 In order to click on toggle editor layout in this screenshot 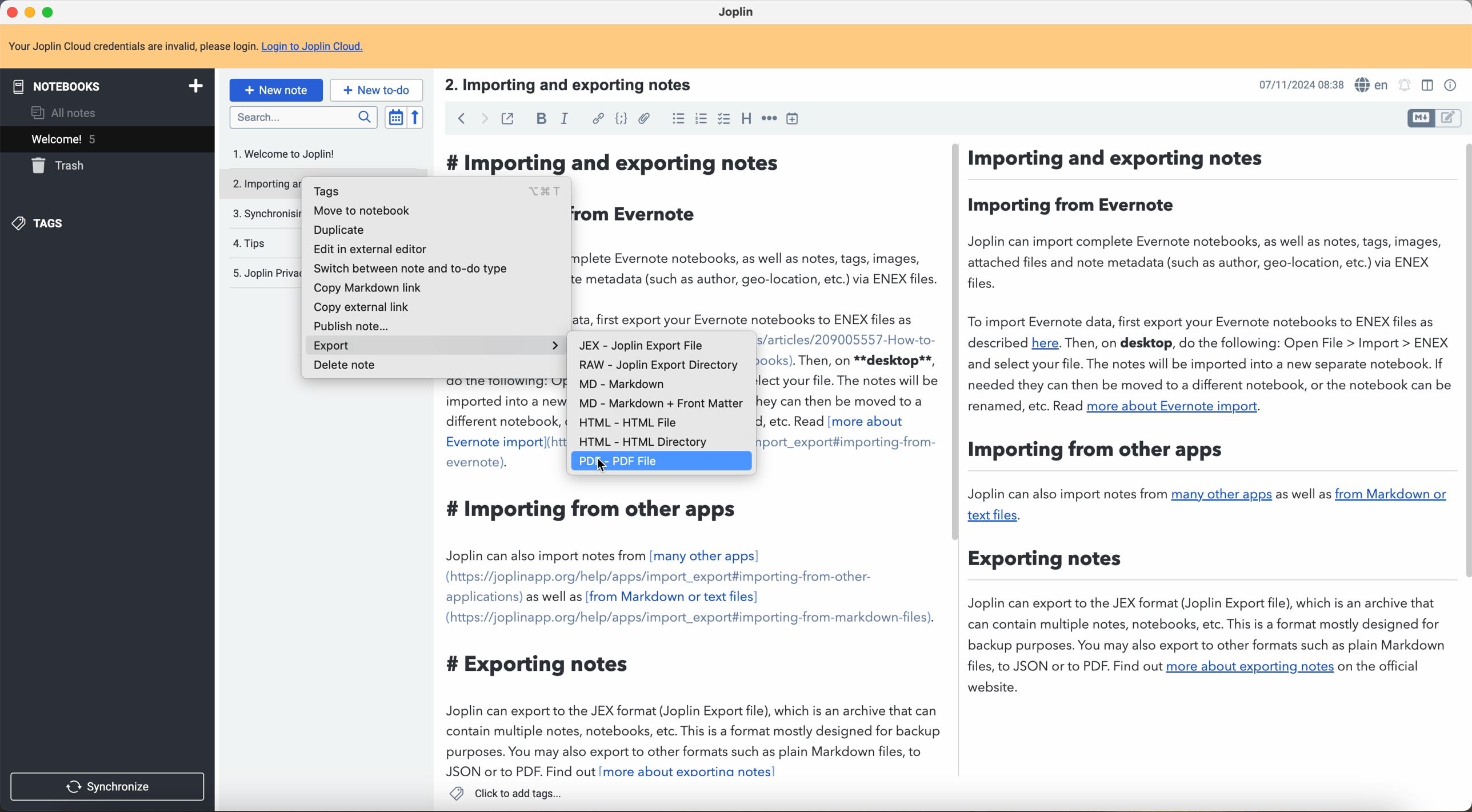, I will do `click(1421, 118)`.